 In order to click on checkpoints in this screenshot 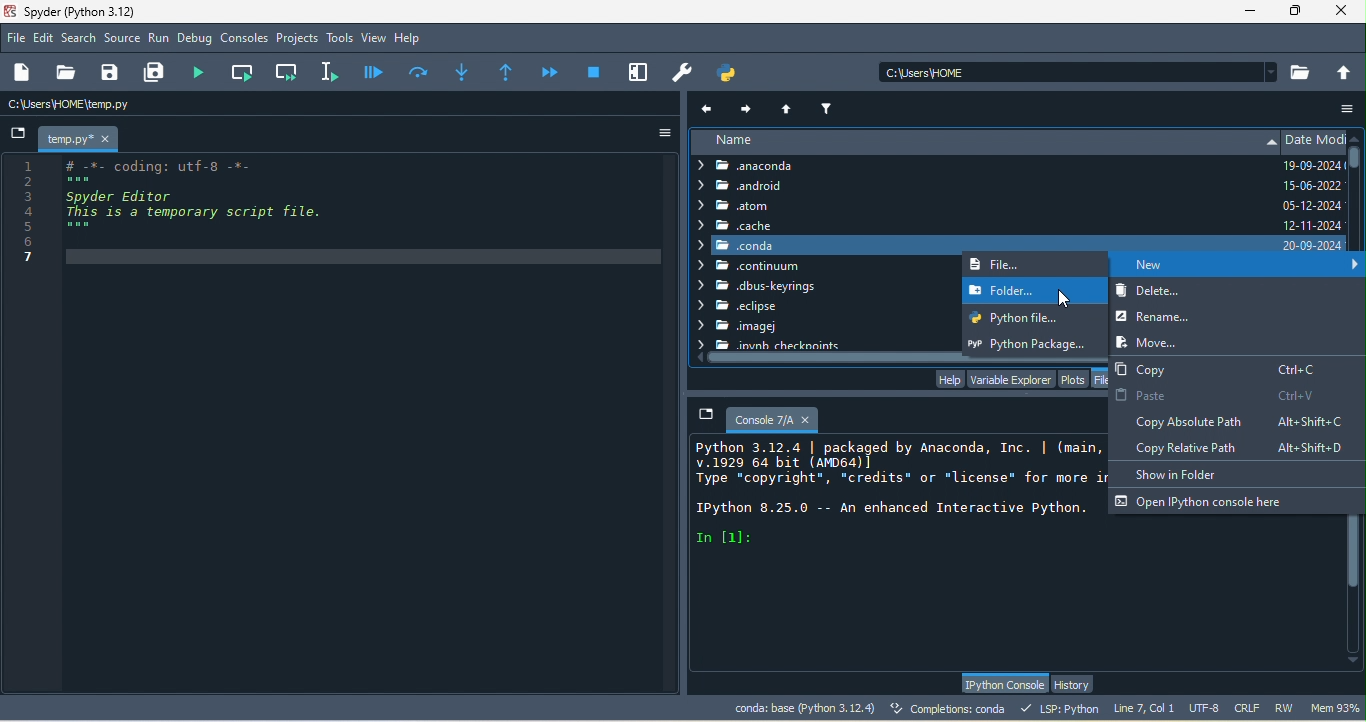, I will do `click(769, 344)`.